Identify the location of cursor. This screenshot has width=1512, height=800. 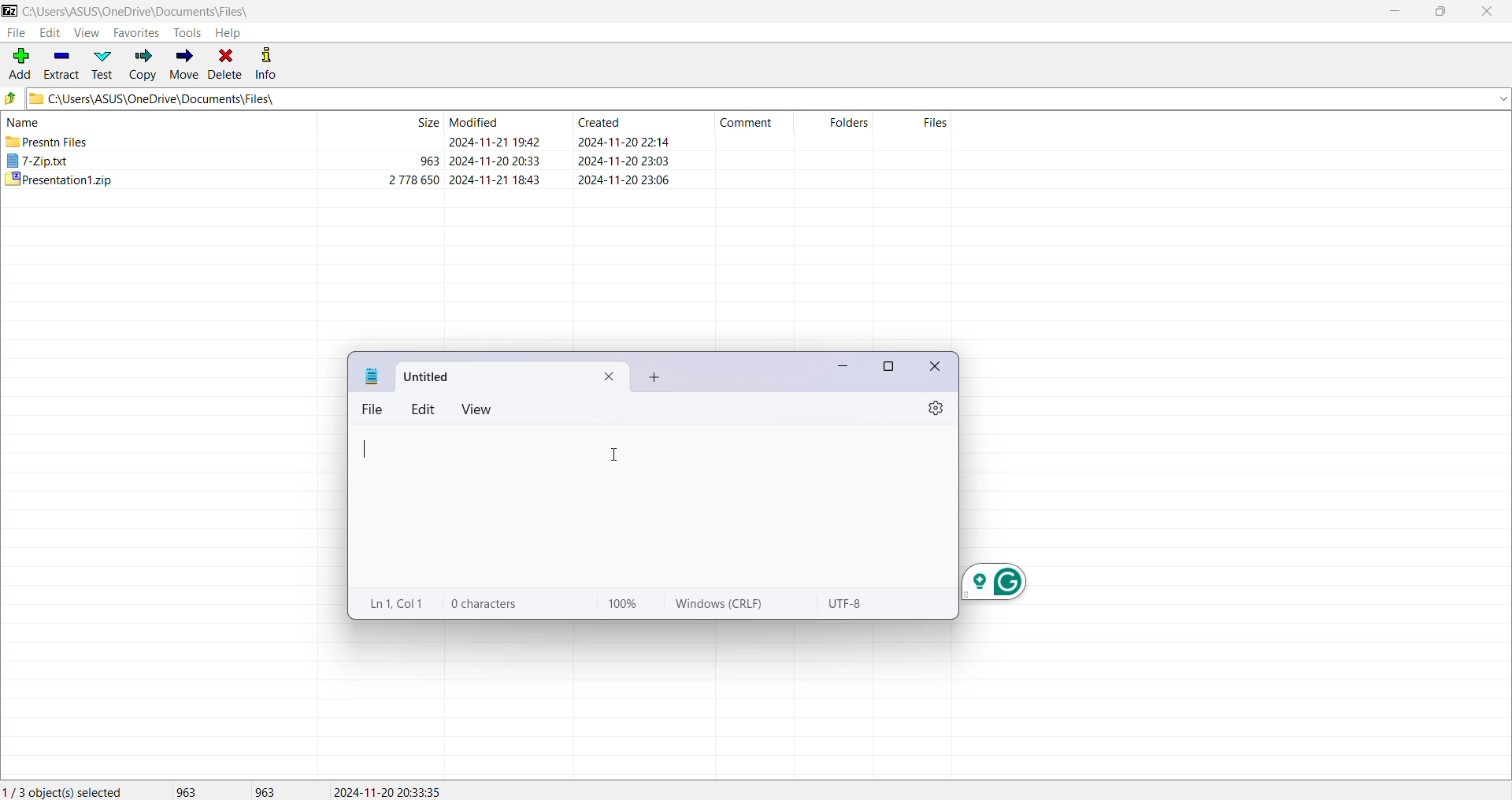
(614, 453).